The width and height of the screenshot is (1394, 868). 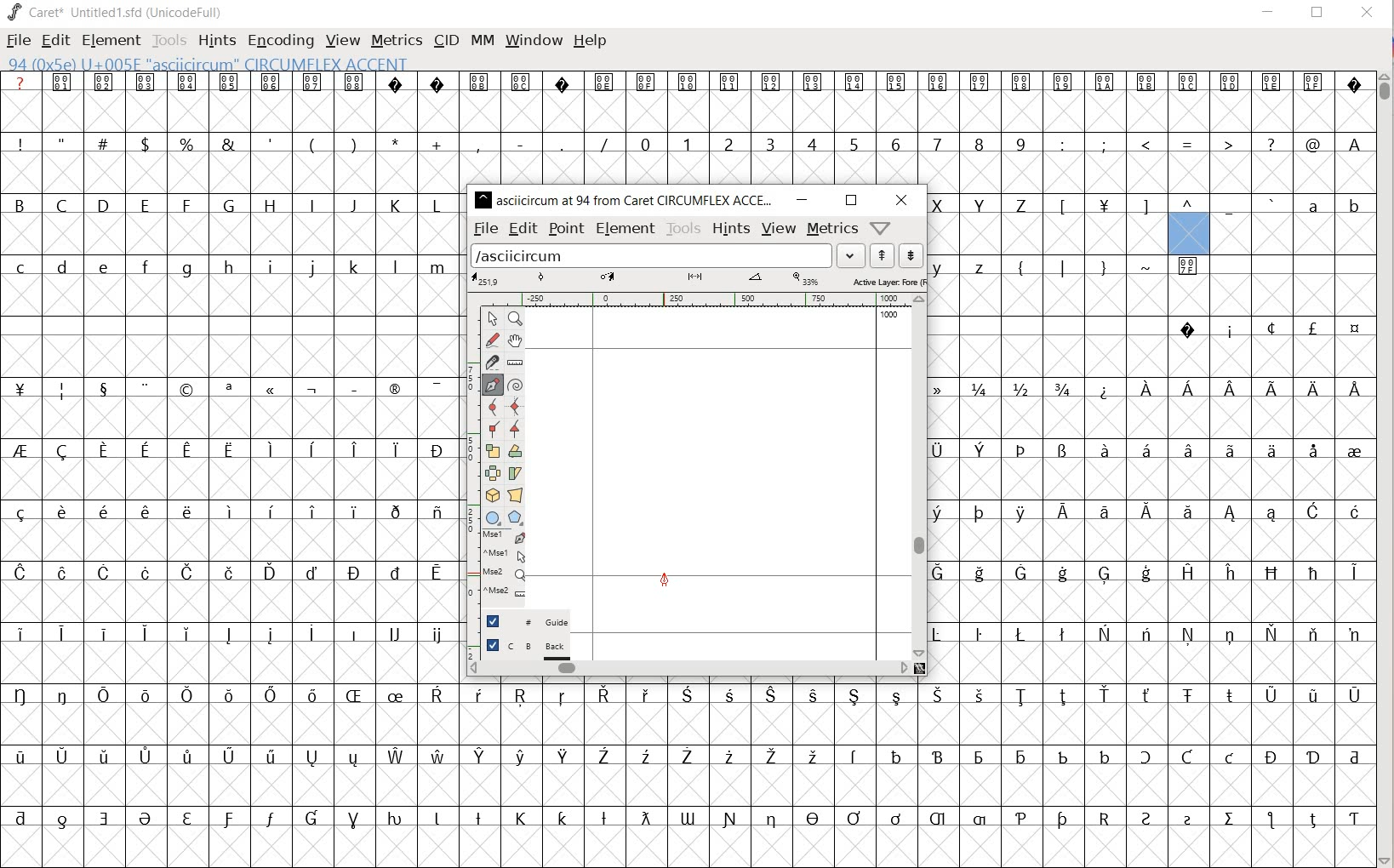 What do you see at coordinates (57, 41) in the screenshot?
I see `EDIT` at bounding box center [57, 41].